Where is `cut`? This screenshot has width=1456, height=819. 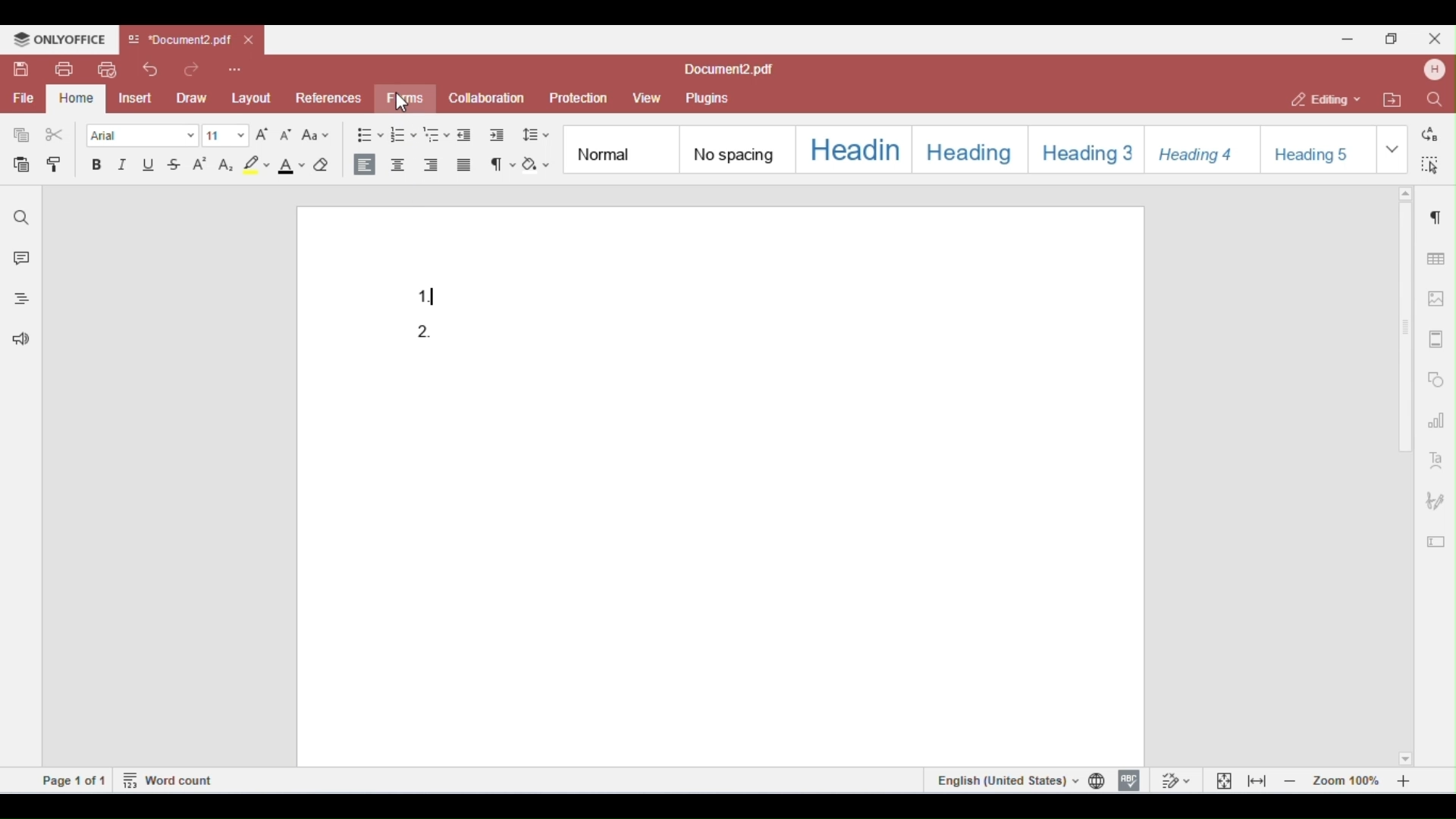
cut is located at coordinates (55, 135).